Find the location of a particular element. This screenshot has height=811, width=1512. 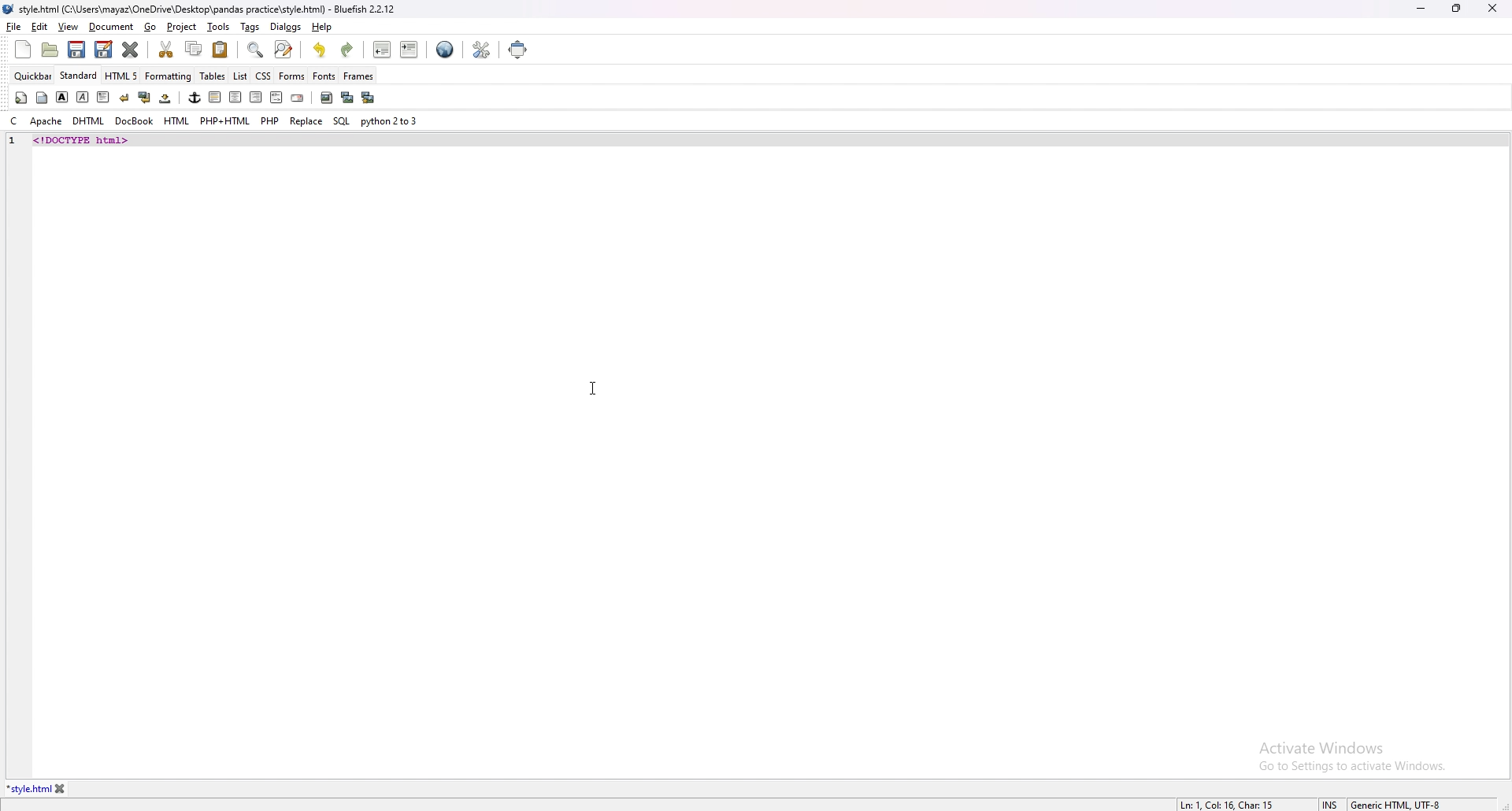

tab is located at coordinates (28, 789).